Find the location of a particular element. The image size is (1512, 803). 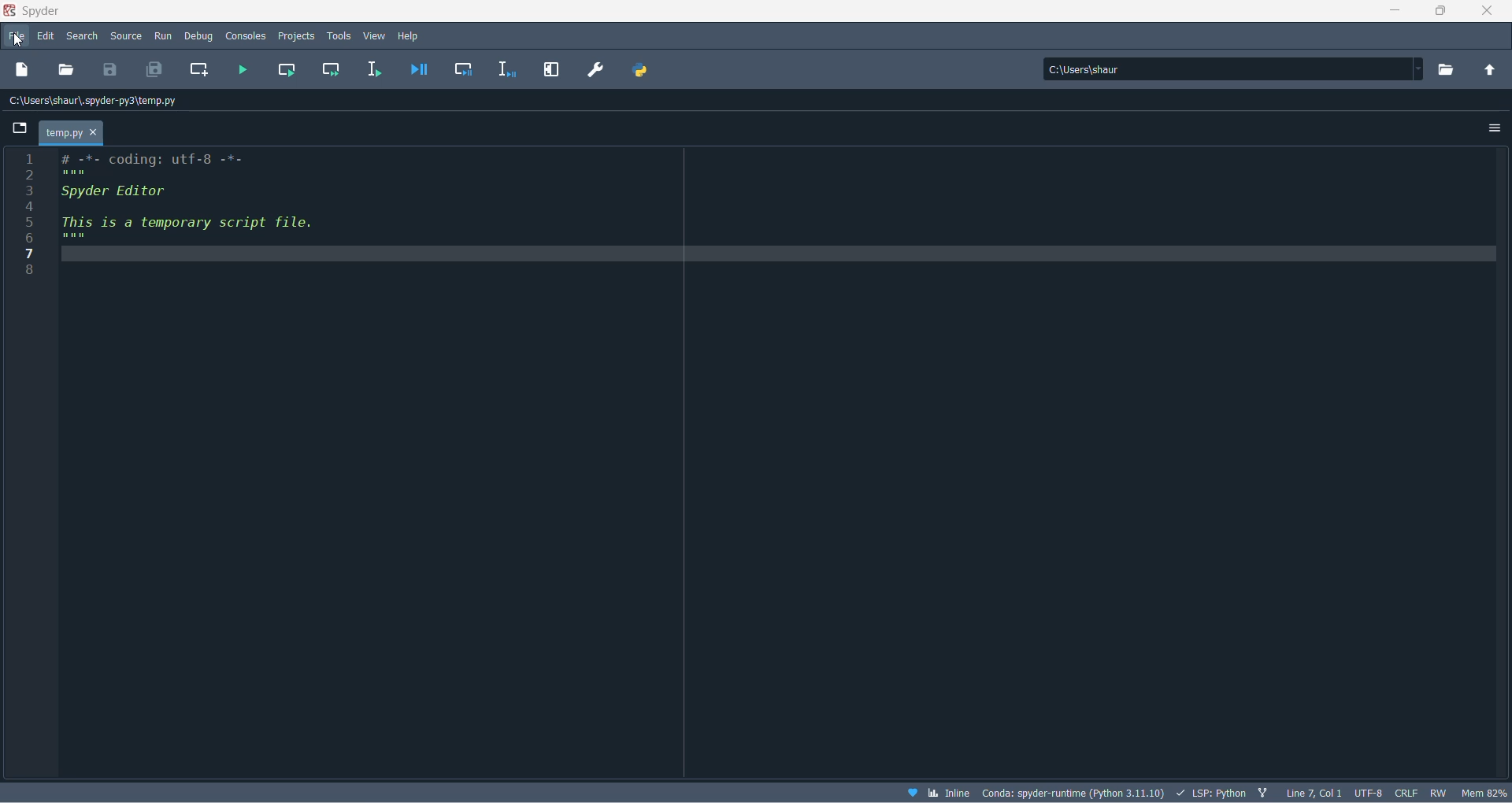

save is located at coordinates (109, 70).